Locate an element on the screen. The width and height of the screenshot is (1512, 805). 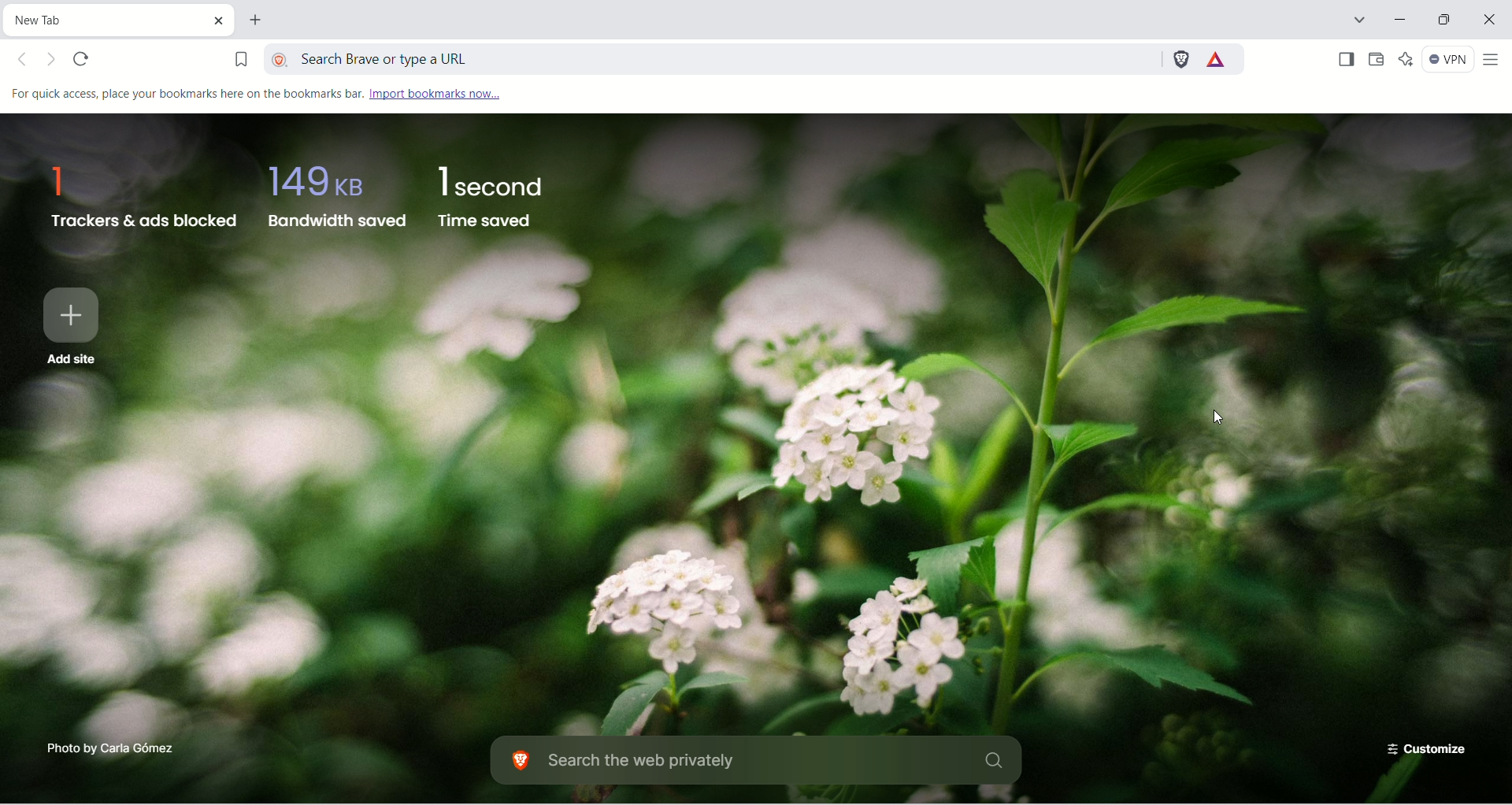
for quick access, place your bookmarks here on the bookmarks bar. is located at coordinates (191, 93).